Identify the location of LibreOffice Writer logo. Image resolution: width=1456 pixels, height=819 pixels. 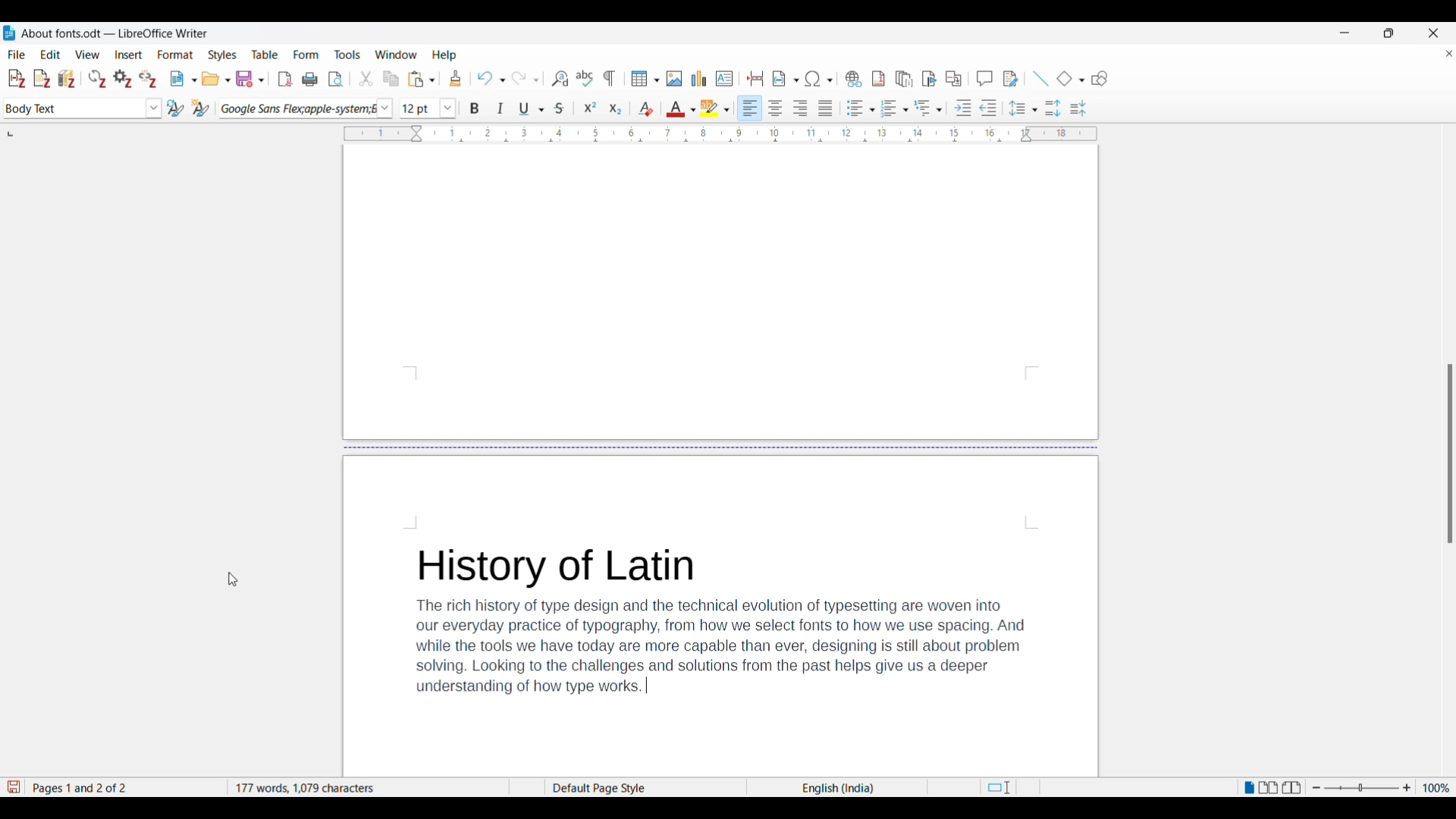
(9, 33).